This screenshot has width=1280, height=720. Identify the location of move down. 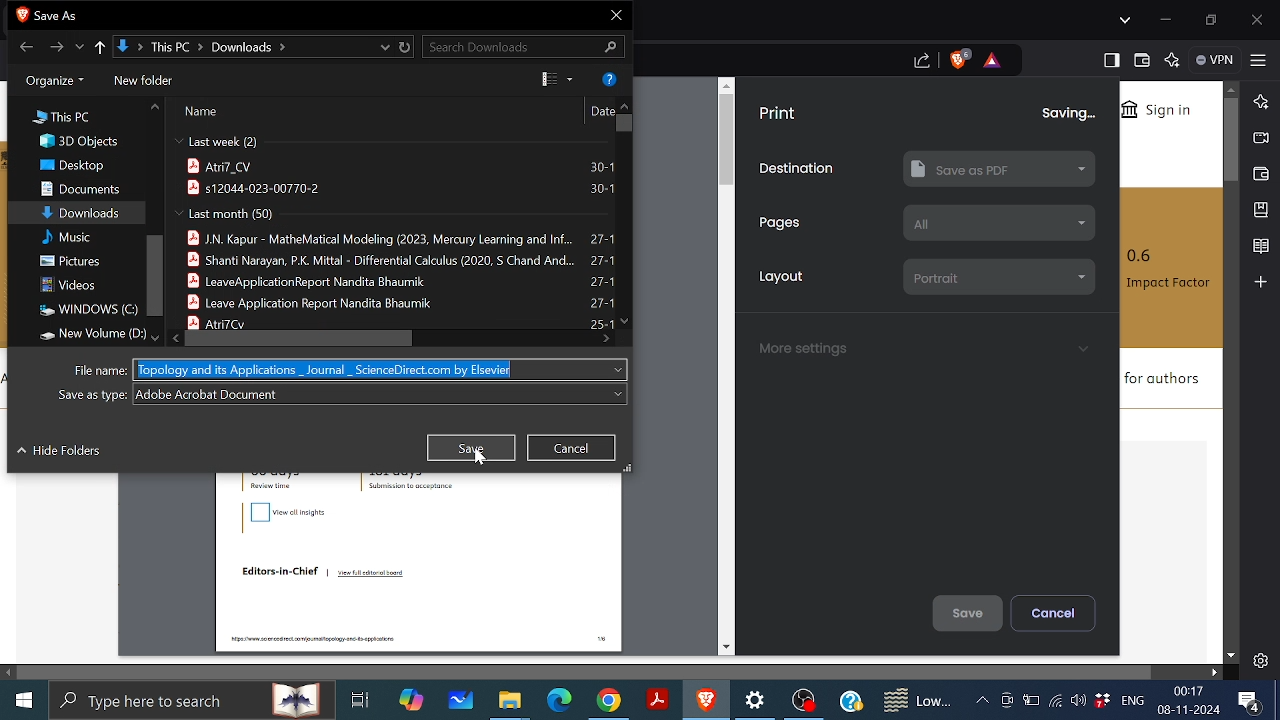
(726, 647).